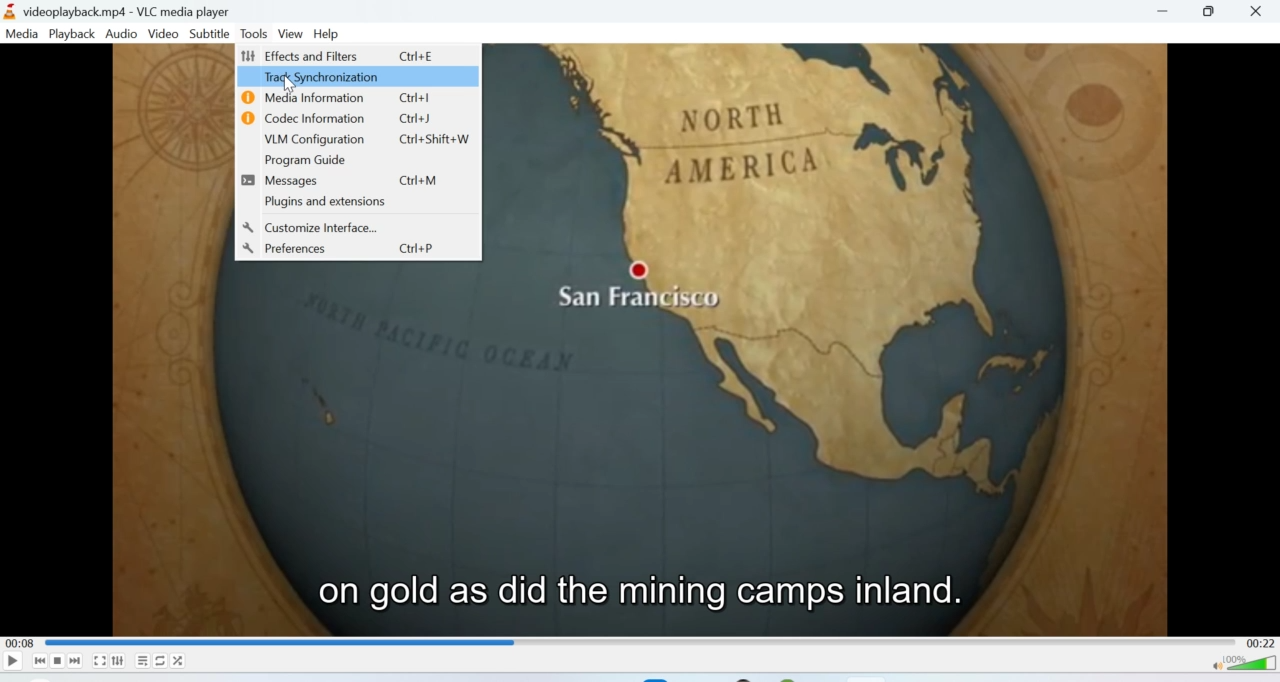  Describe the element at coordinates (141, 661) in the screenshot. I see `Playlist` at that location.